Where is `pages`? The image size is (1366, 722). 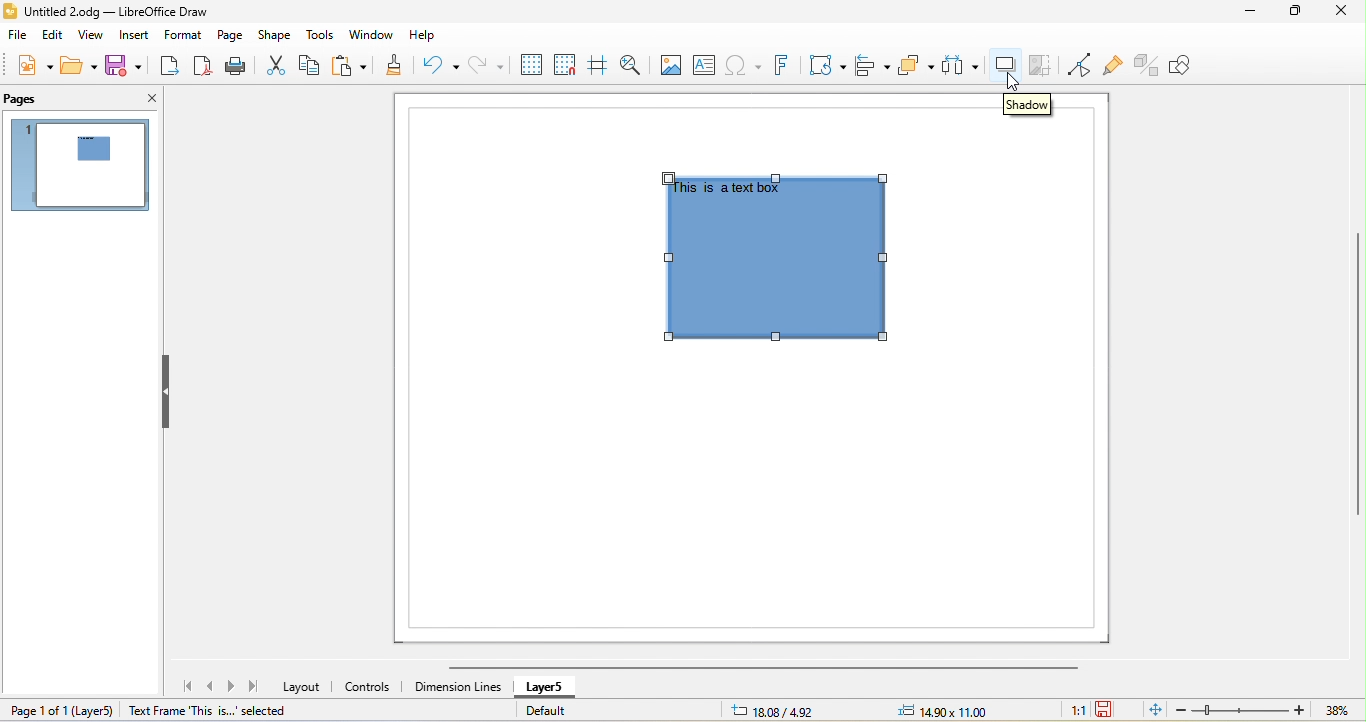
pages is located at coordinates (21, 100).